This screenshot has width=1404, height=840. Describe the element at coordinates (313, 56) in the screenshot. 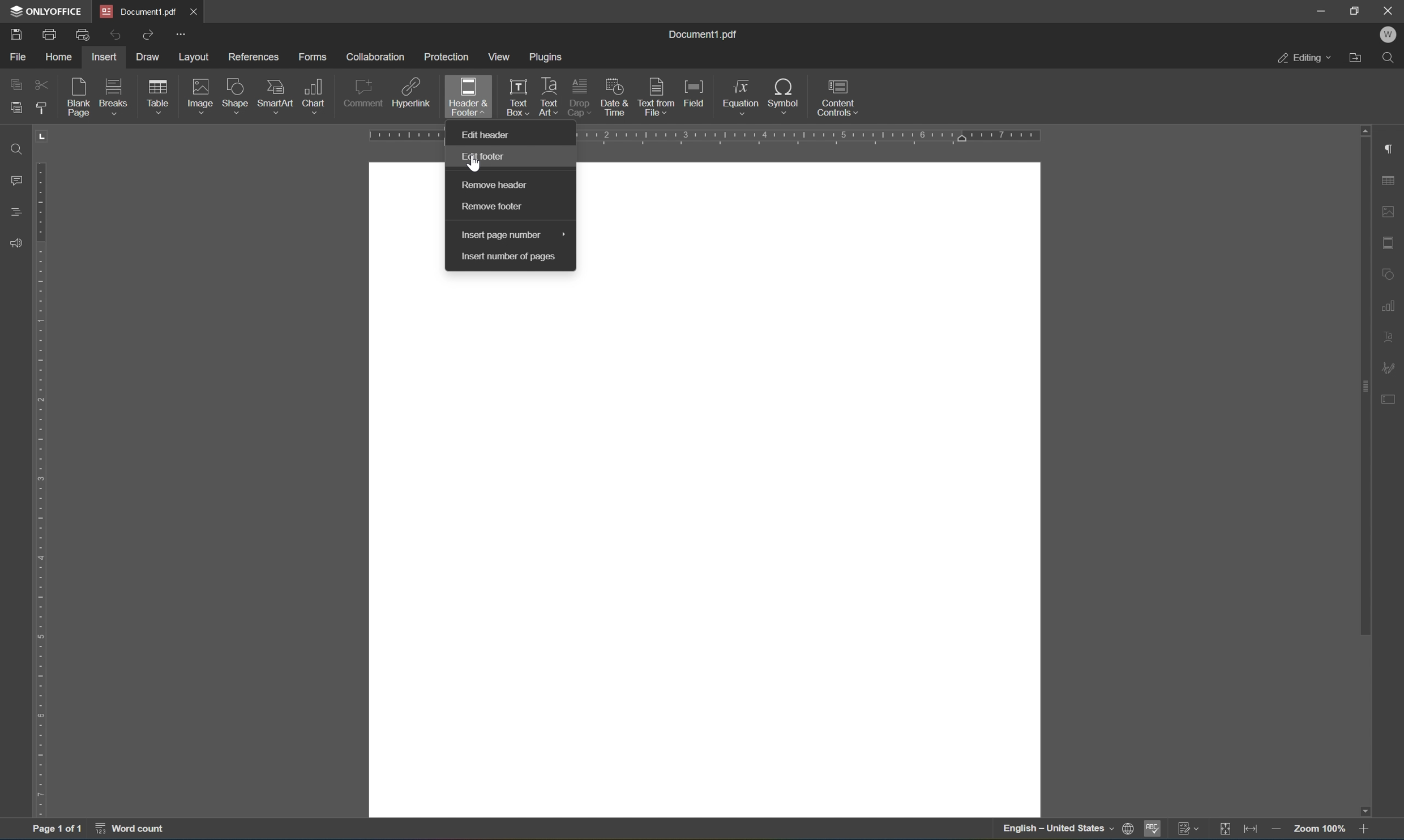

I see `forms` at that location.